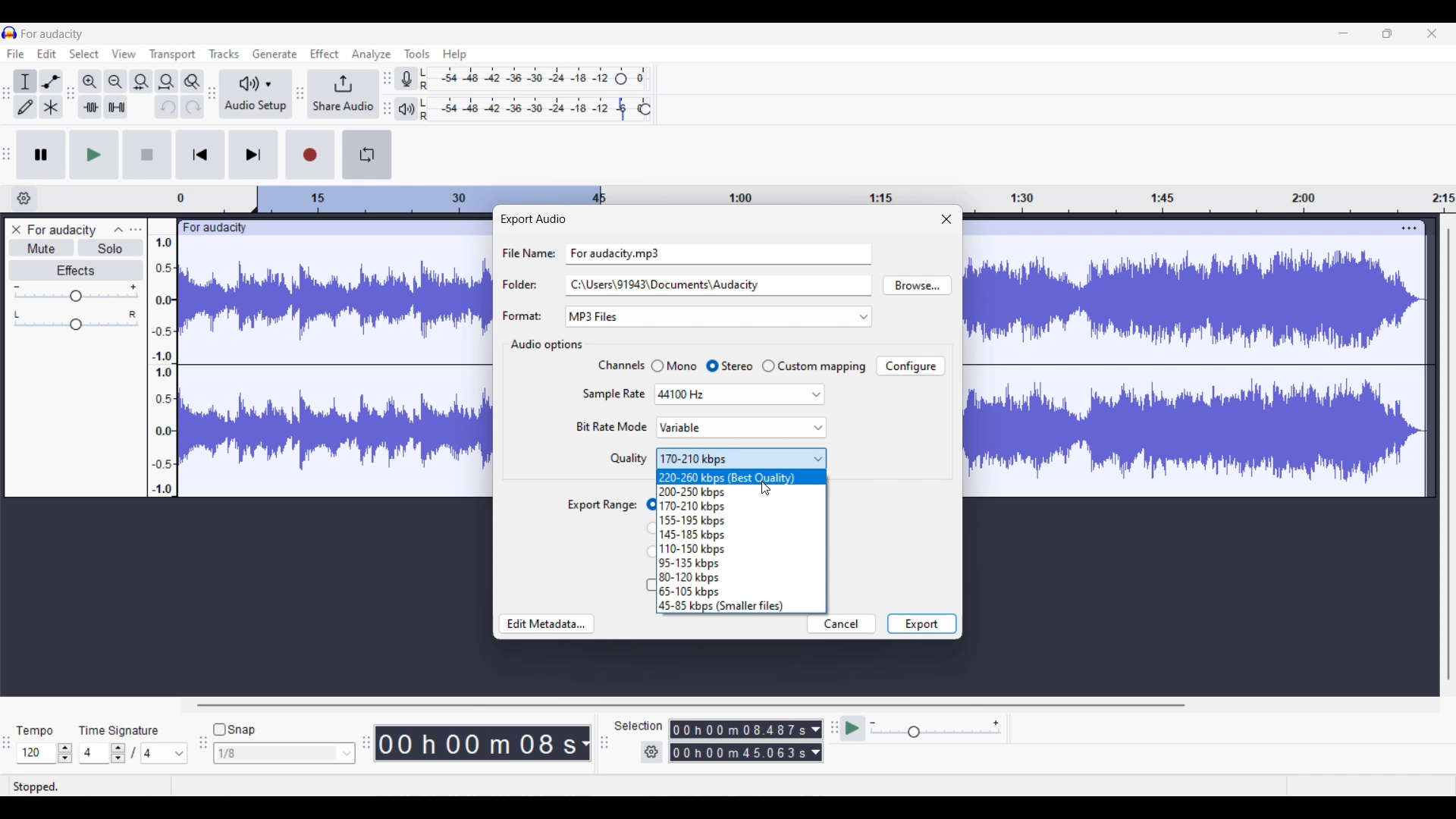  What do you see at coordinates (767, 488) in the screenshot?
I see `Cursor` at bounding box center [767, 488].